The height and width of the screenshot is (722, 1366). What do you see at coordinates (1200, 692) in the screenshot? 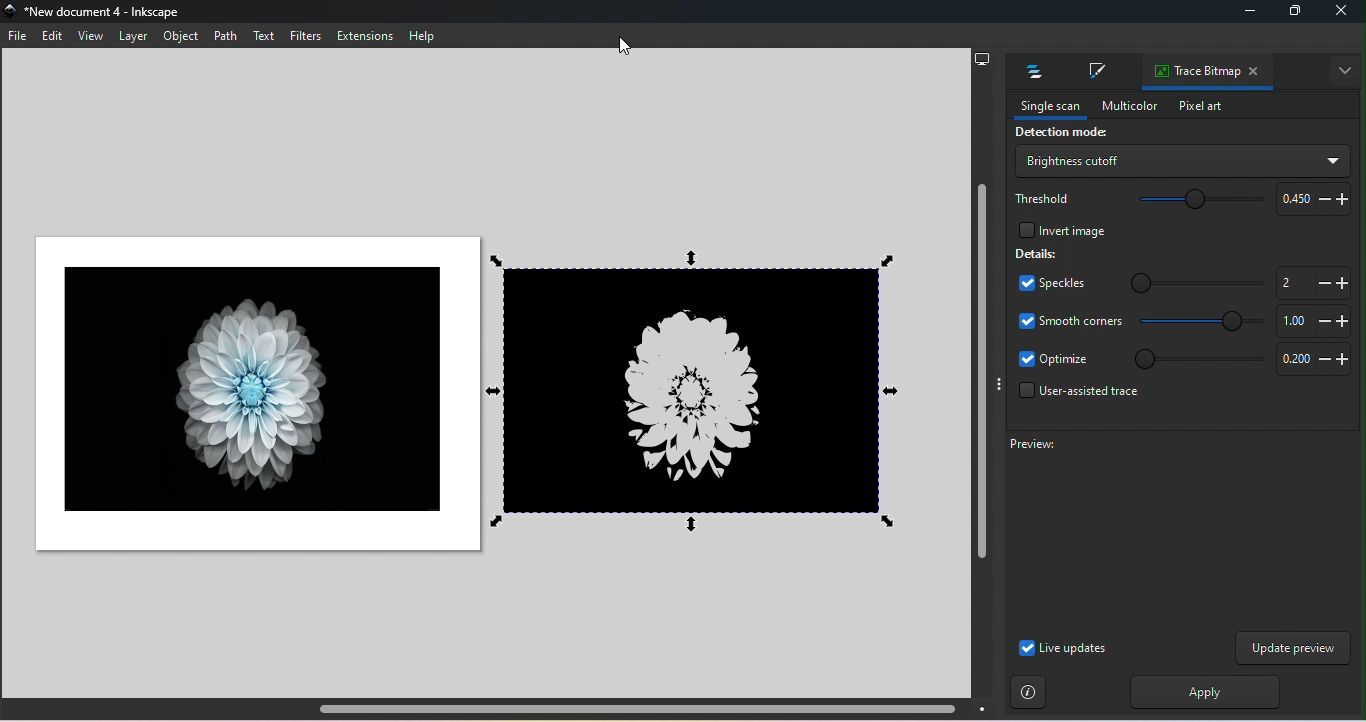
I see `Apply` at bounding box center [1200, 692].